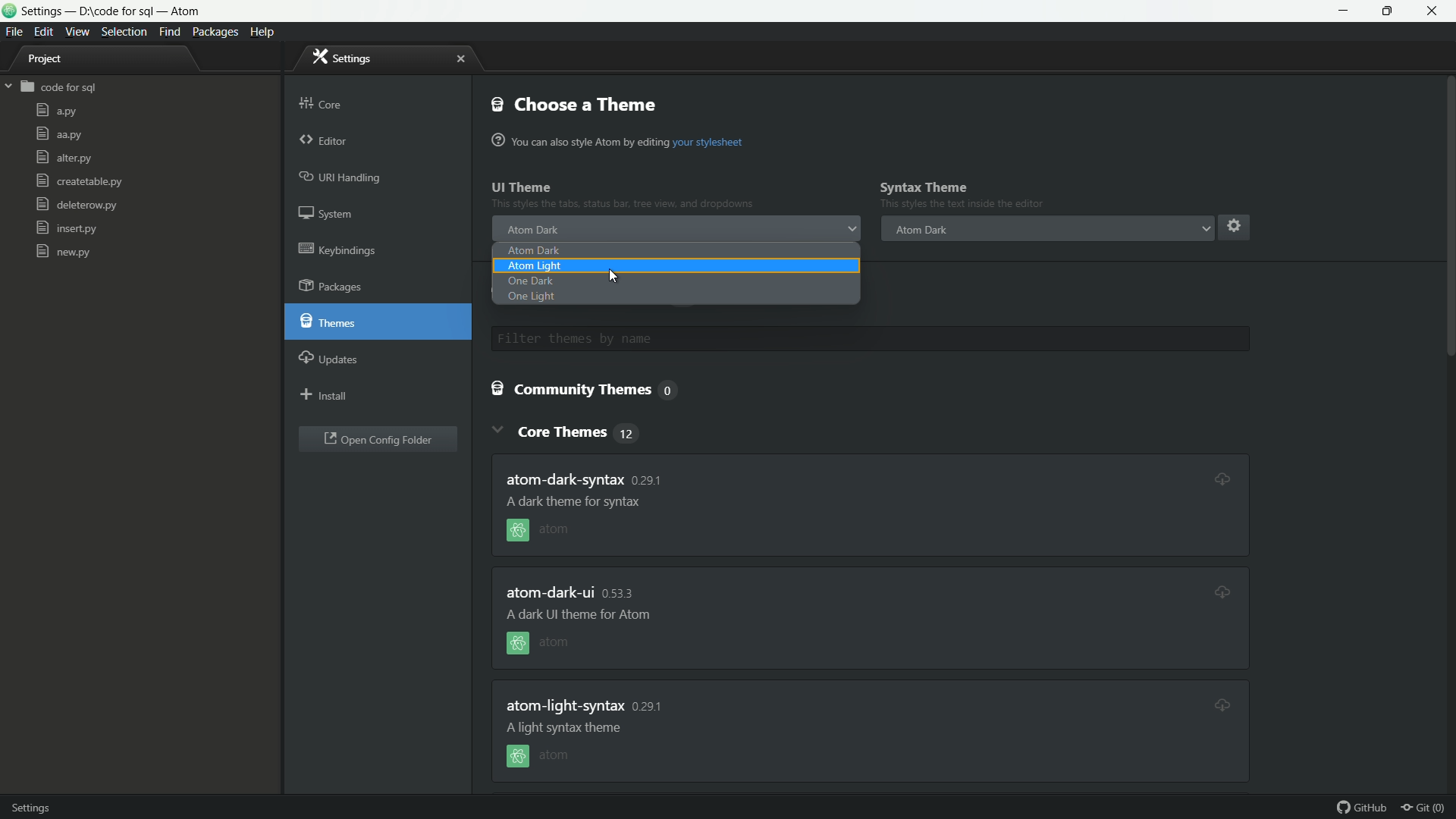 The width and height of the screenshot is (1456, 819). Describe the element at coordinates (53, 61) in the screenshot. I see `project tree` at that location.